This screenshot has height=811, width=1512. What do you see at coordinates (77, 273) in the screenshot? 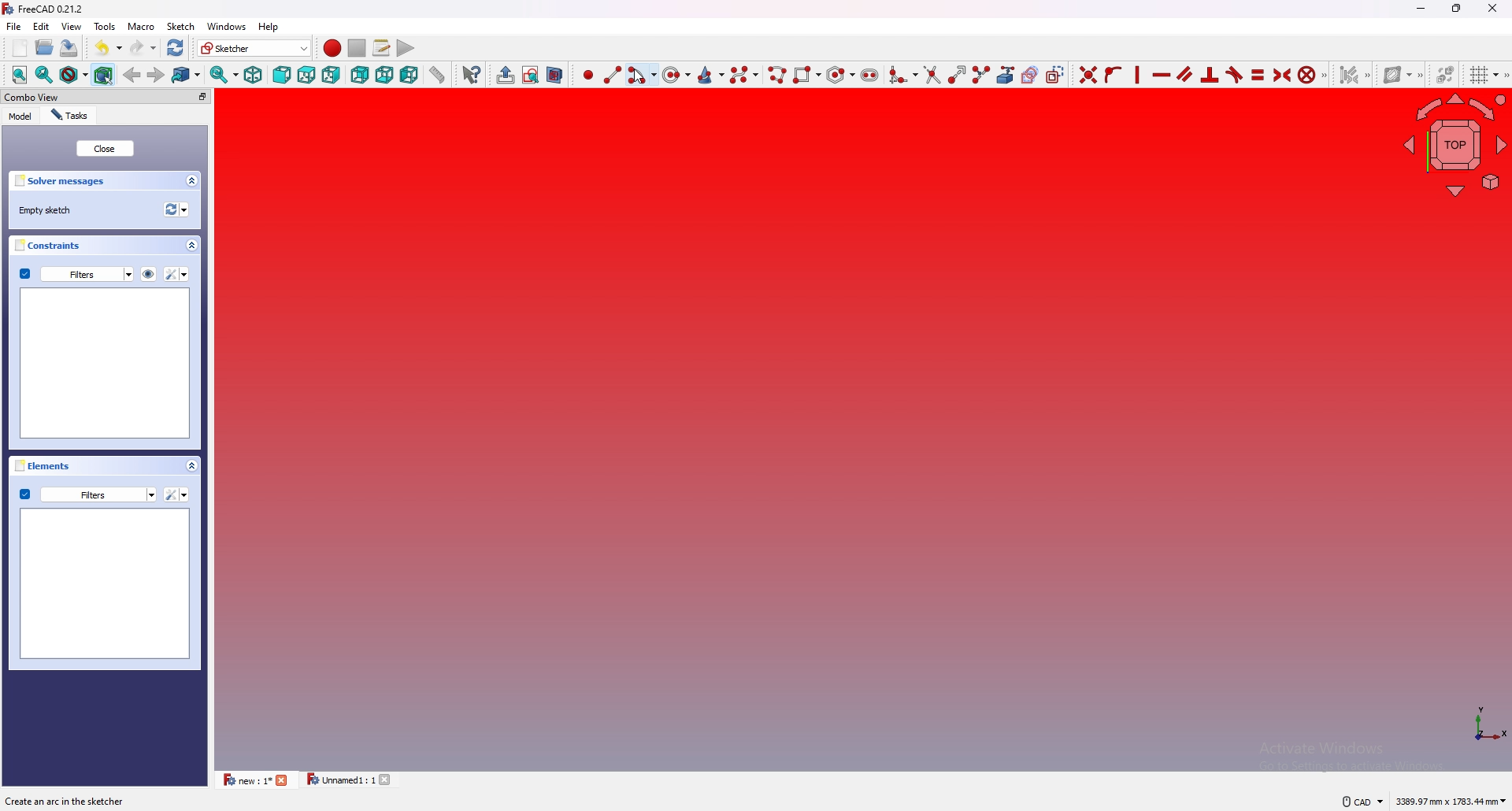
I see `filters` at bounding box center [77, 273].